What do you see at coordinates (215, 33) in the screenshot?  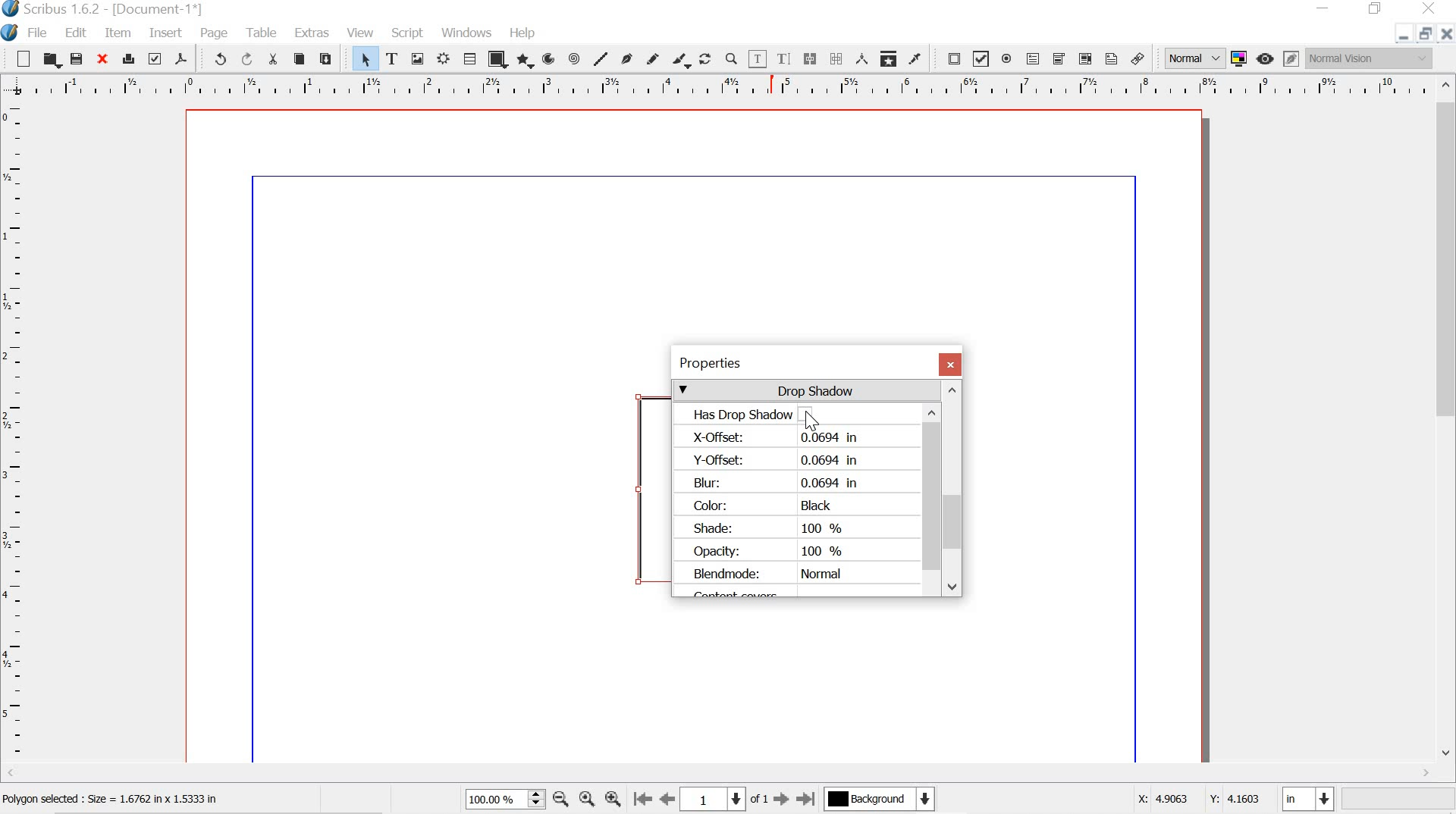 I see `PAGE` at bounding box center [215, 33].